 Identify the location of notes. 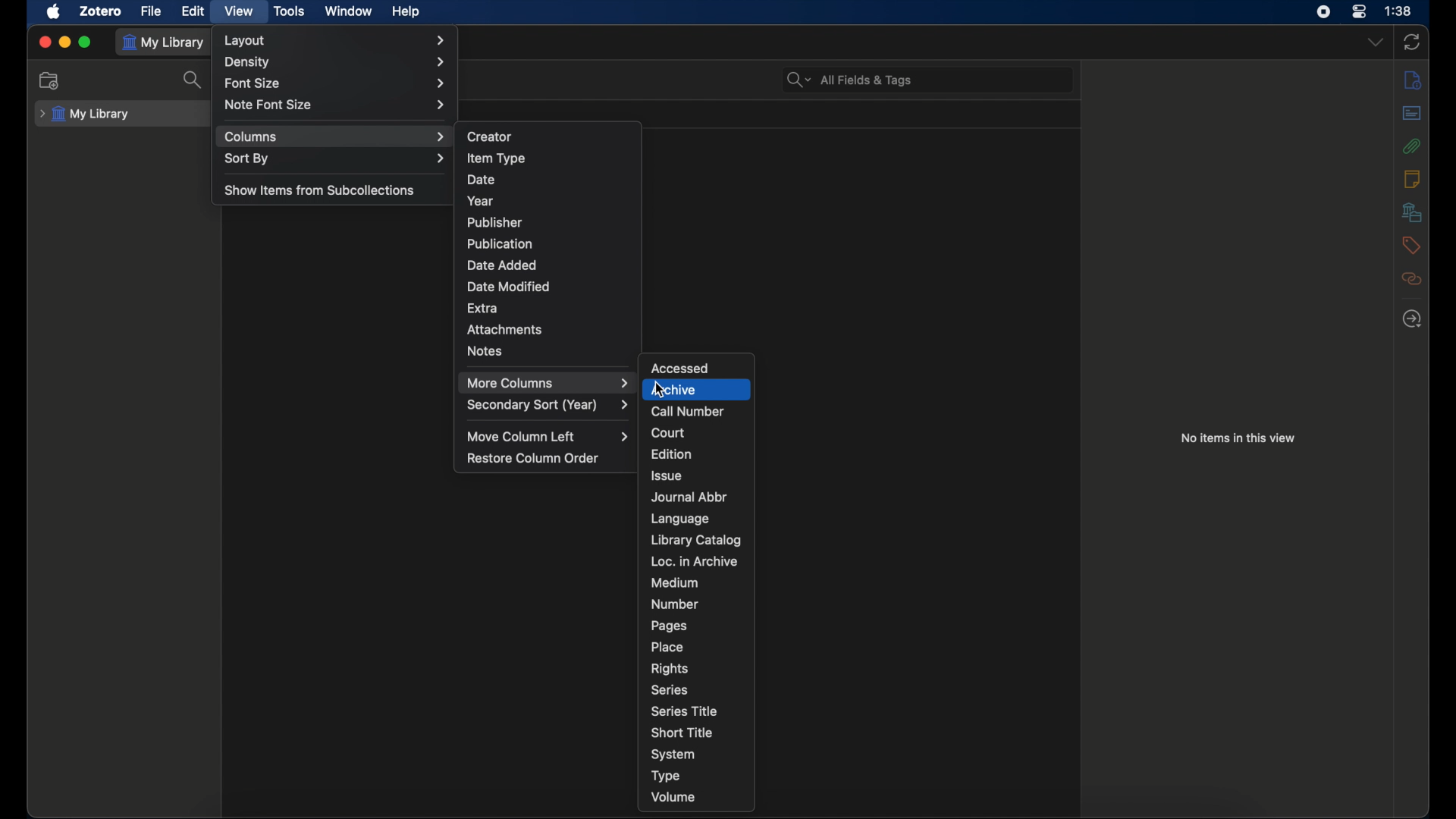
(485, 350).